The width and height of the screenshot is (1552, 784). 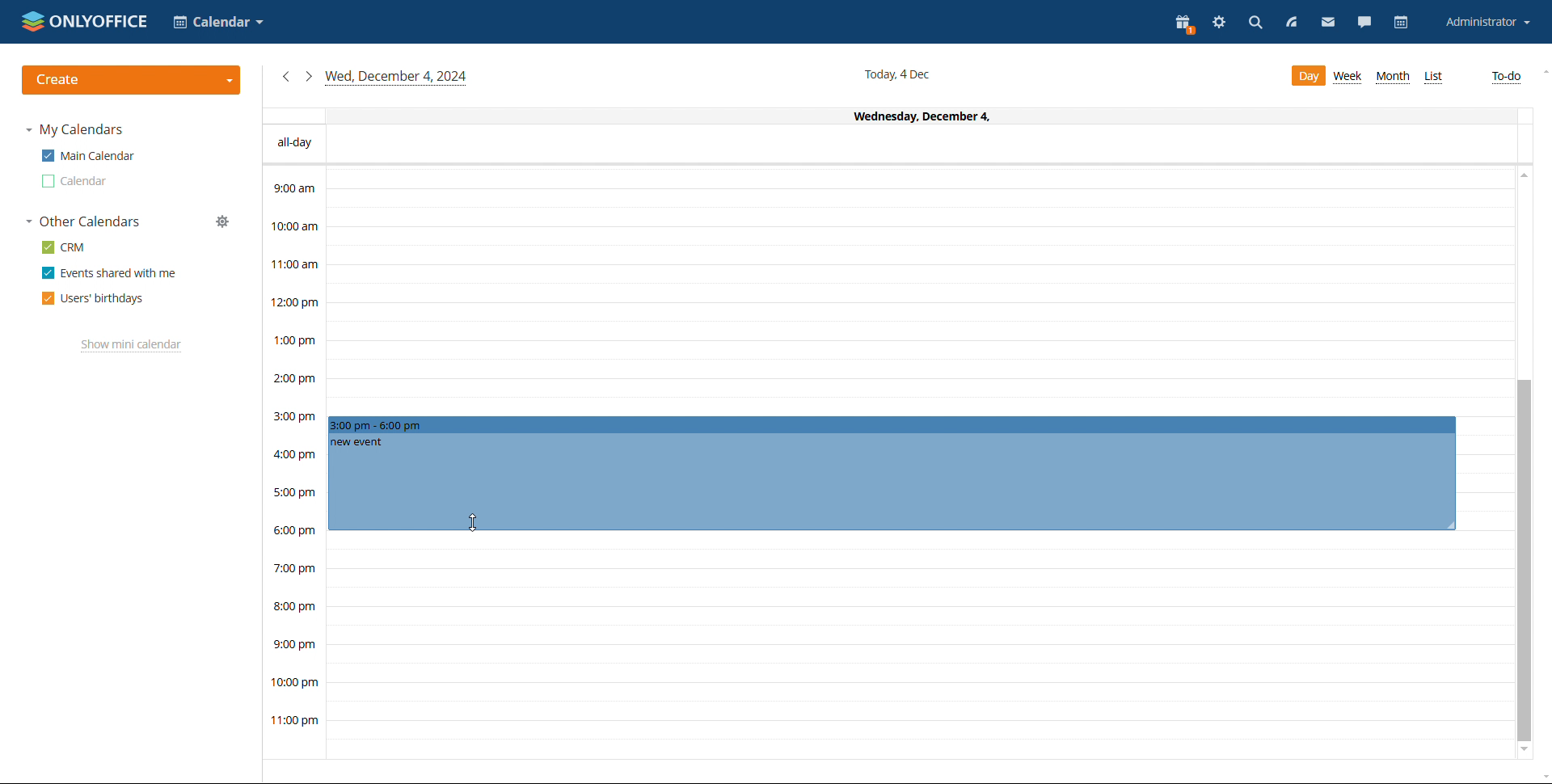 What do you see at coordinates (919, 313) in the screenshot?
I see `30 min time span` at bounding box center [919, 313].